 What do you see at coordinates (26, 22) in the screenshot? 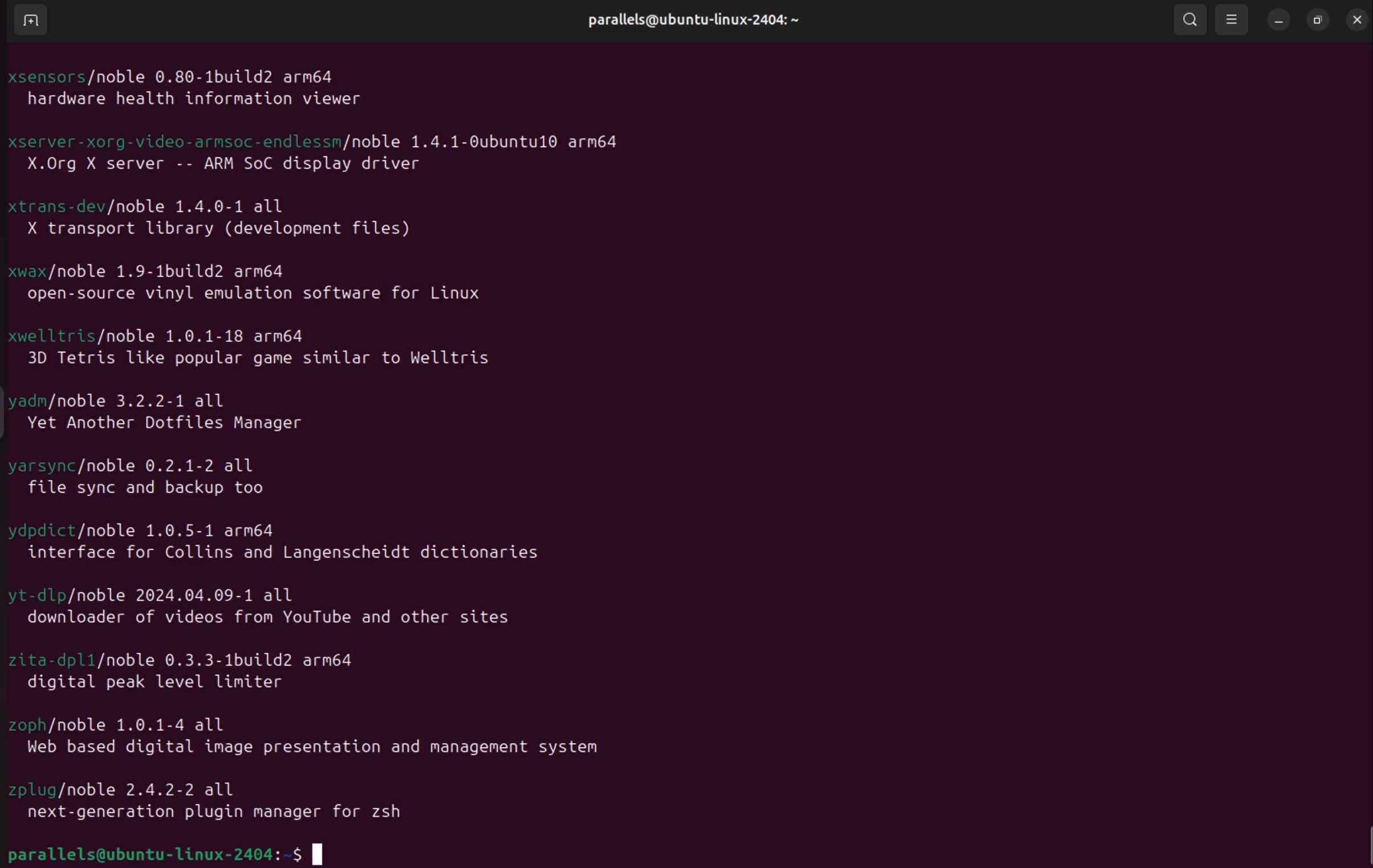
I see `add terminal` at bounding box center [26, 22].